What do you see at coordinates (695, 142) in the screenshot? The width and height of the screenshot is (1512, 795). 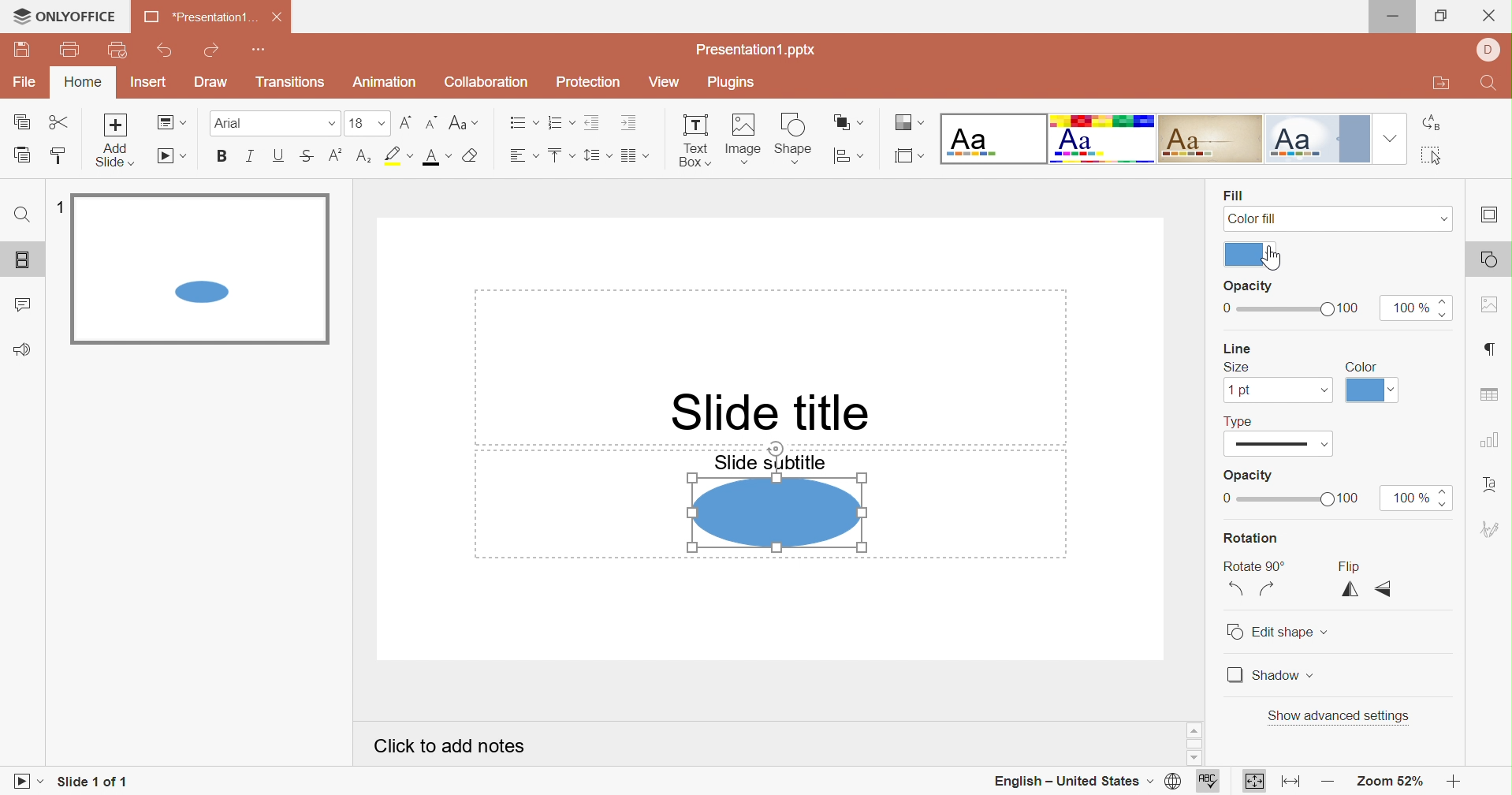 I see `Text Box` at bounding box center [695, 142].